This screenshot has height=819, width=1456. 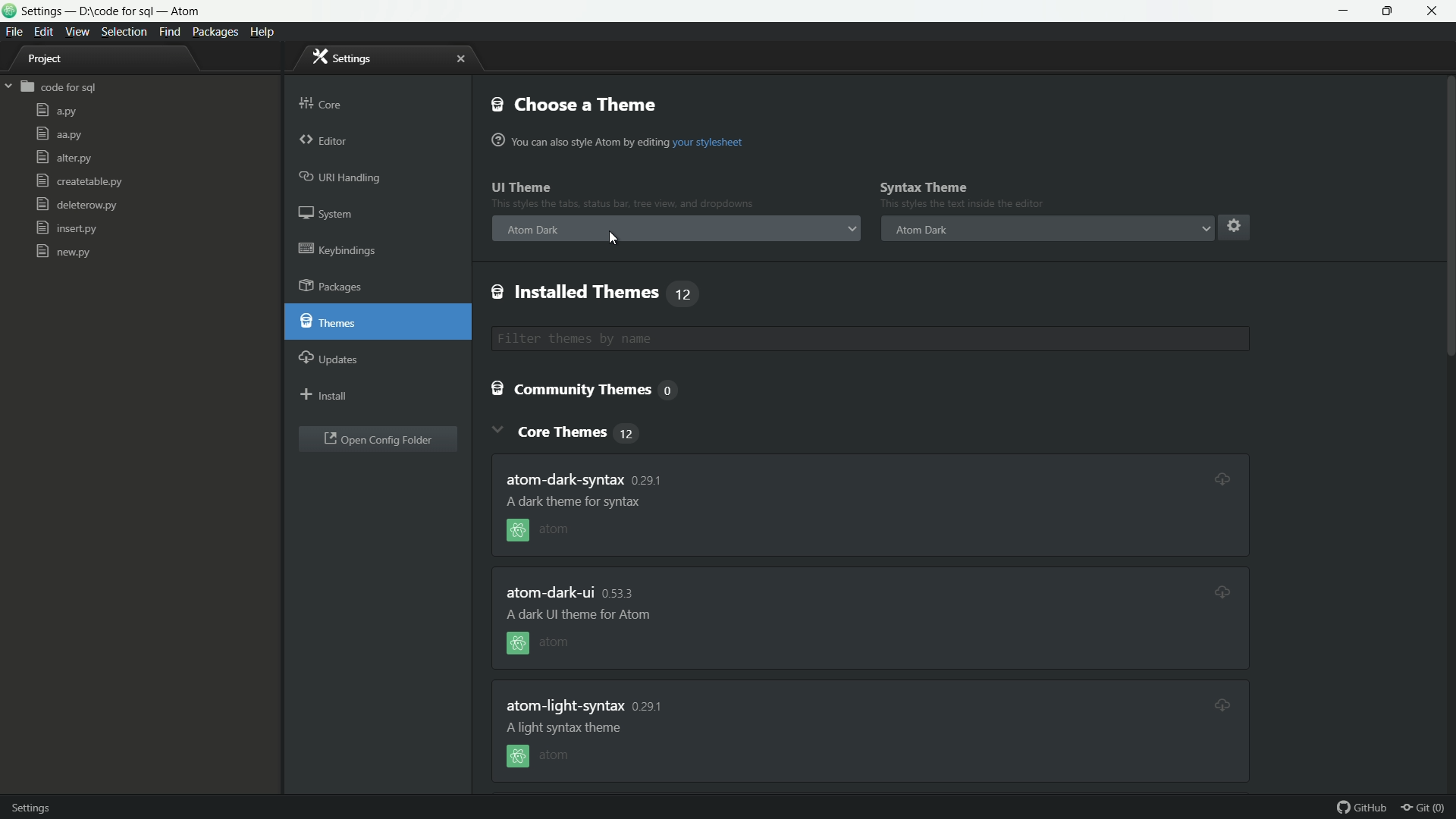 I want to click on view menu, so click(x=78, y=32).